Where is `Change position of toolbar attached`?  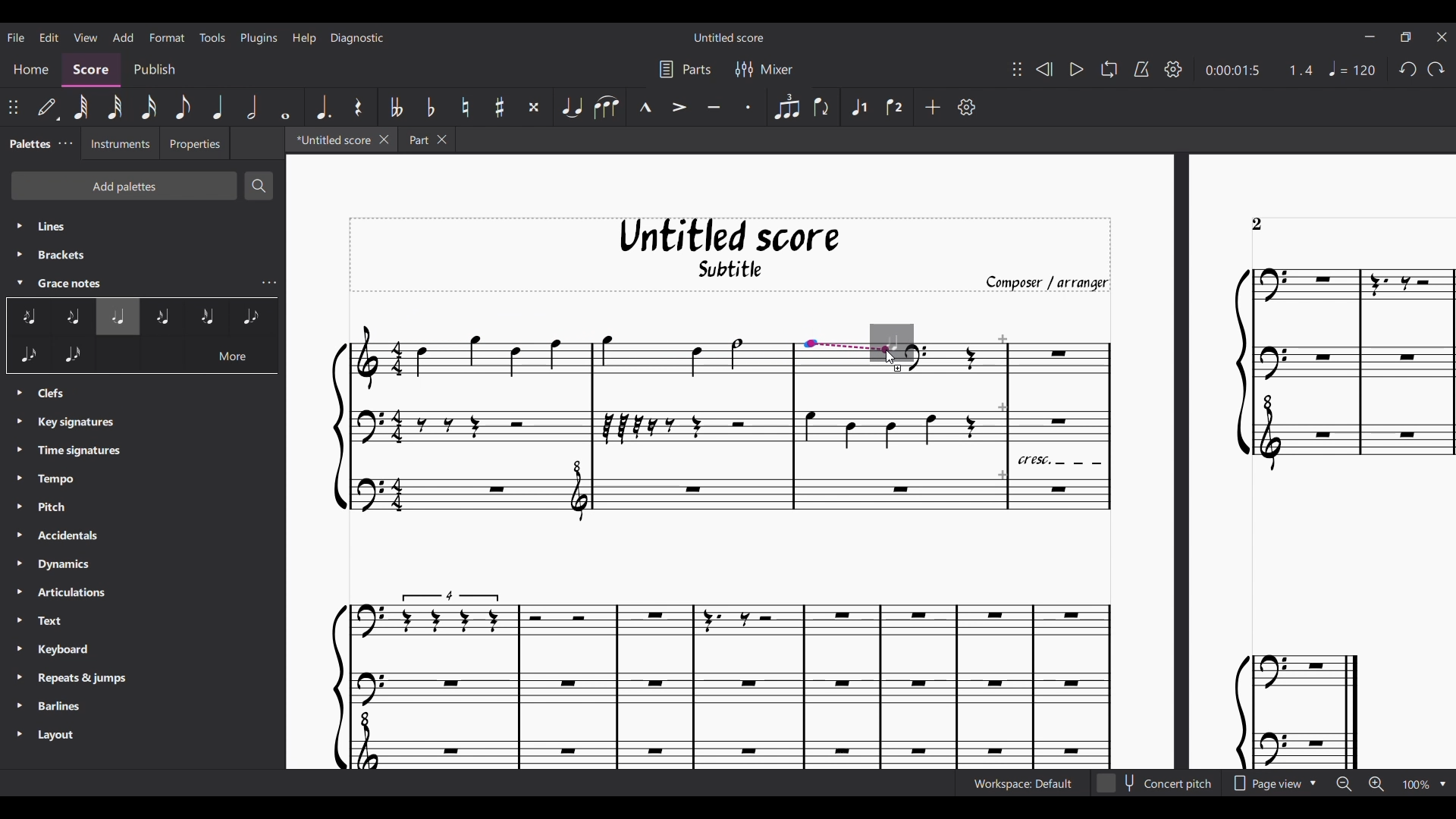
Change position of toolbar attached is located at coordinates (1016, 69).